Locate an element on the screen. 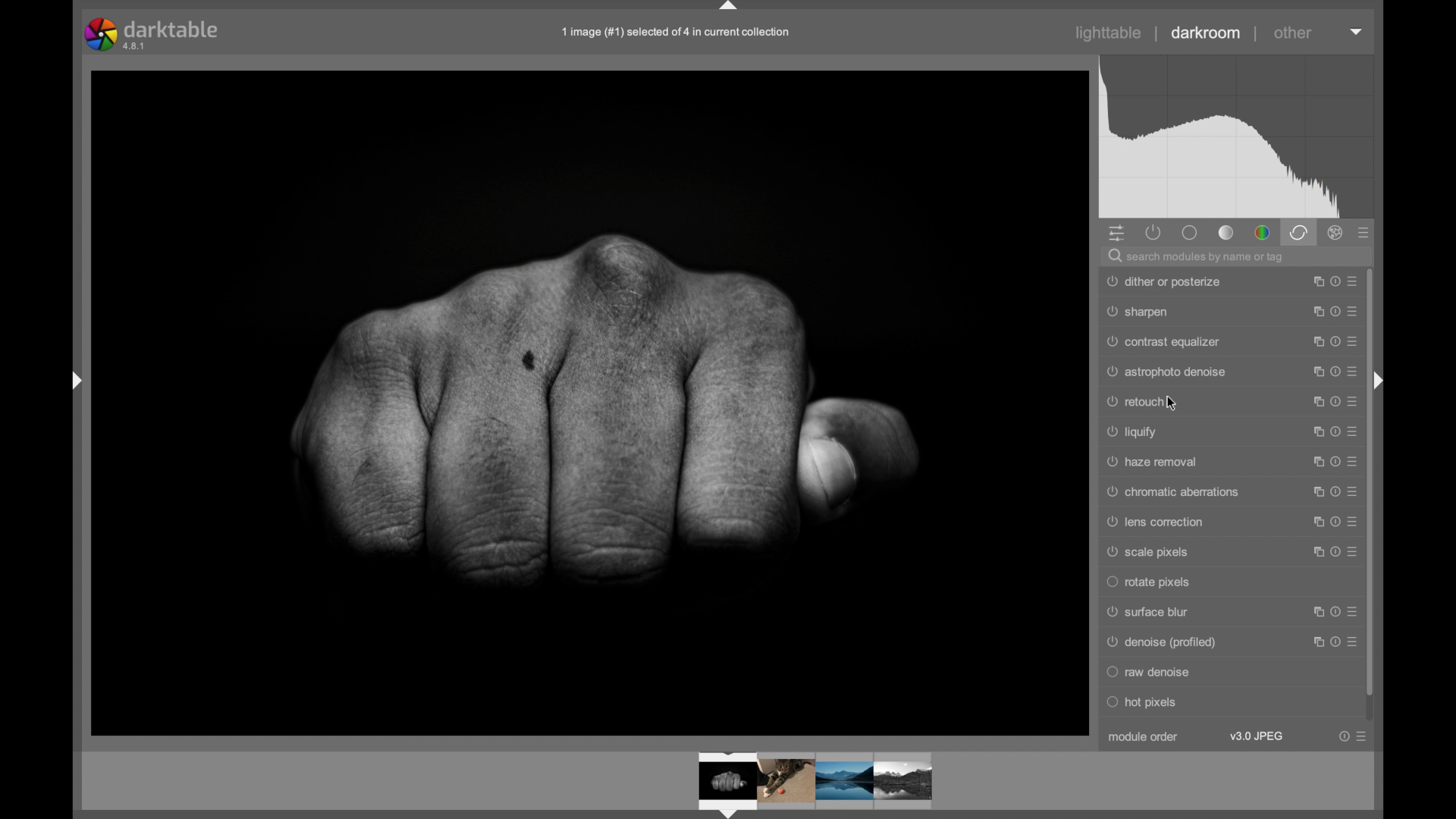 The height and width of the screenshot is (819, 1456). presets is located at coordinates (1364, 234).